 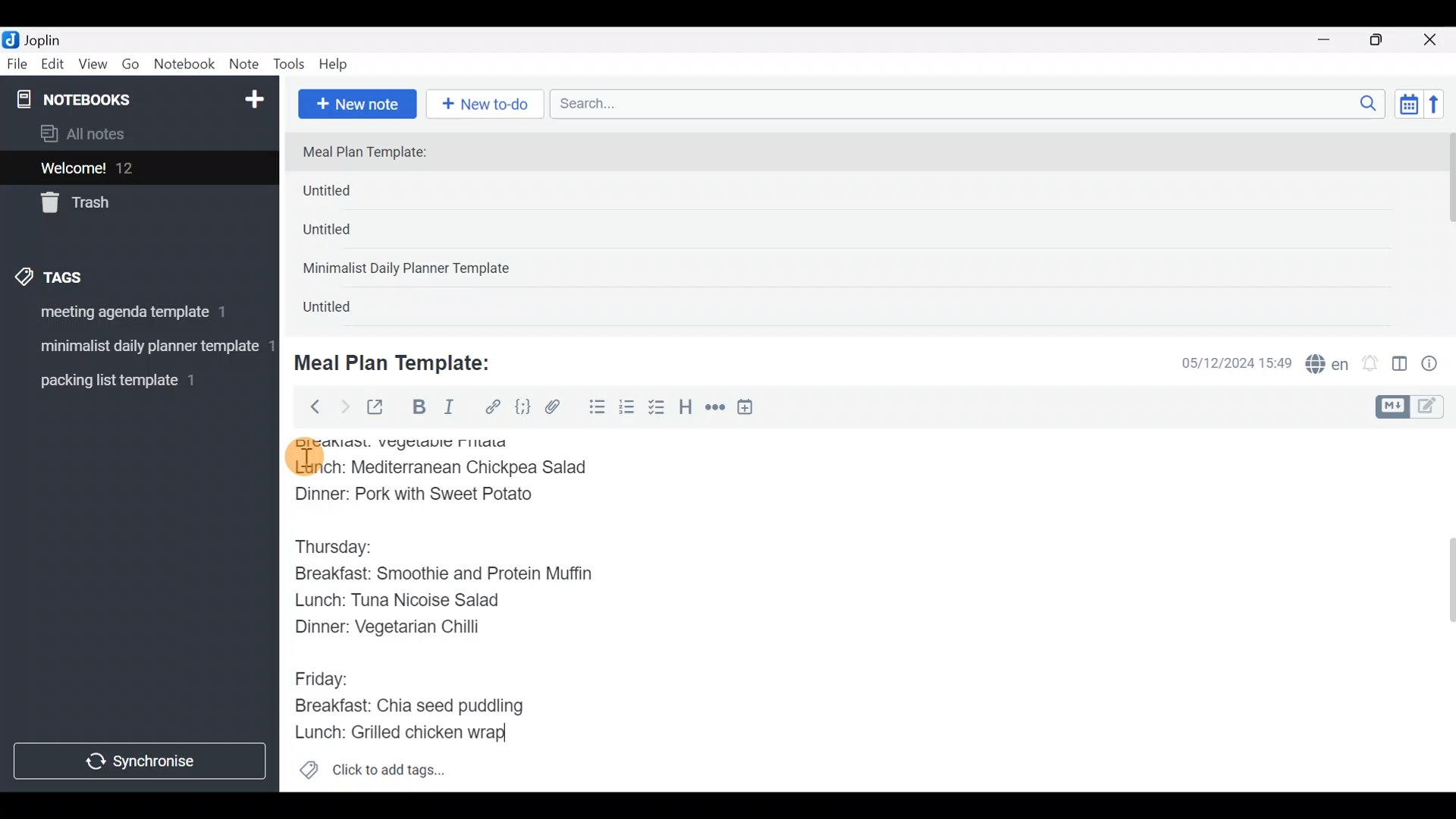 I want to click on Tools, so click(x=290, y=65).